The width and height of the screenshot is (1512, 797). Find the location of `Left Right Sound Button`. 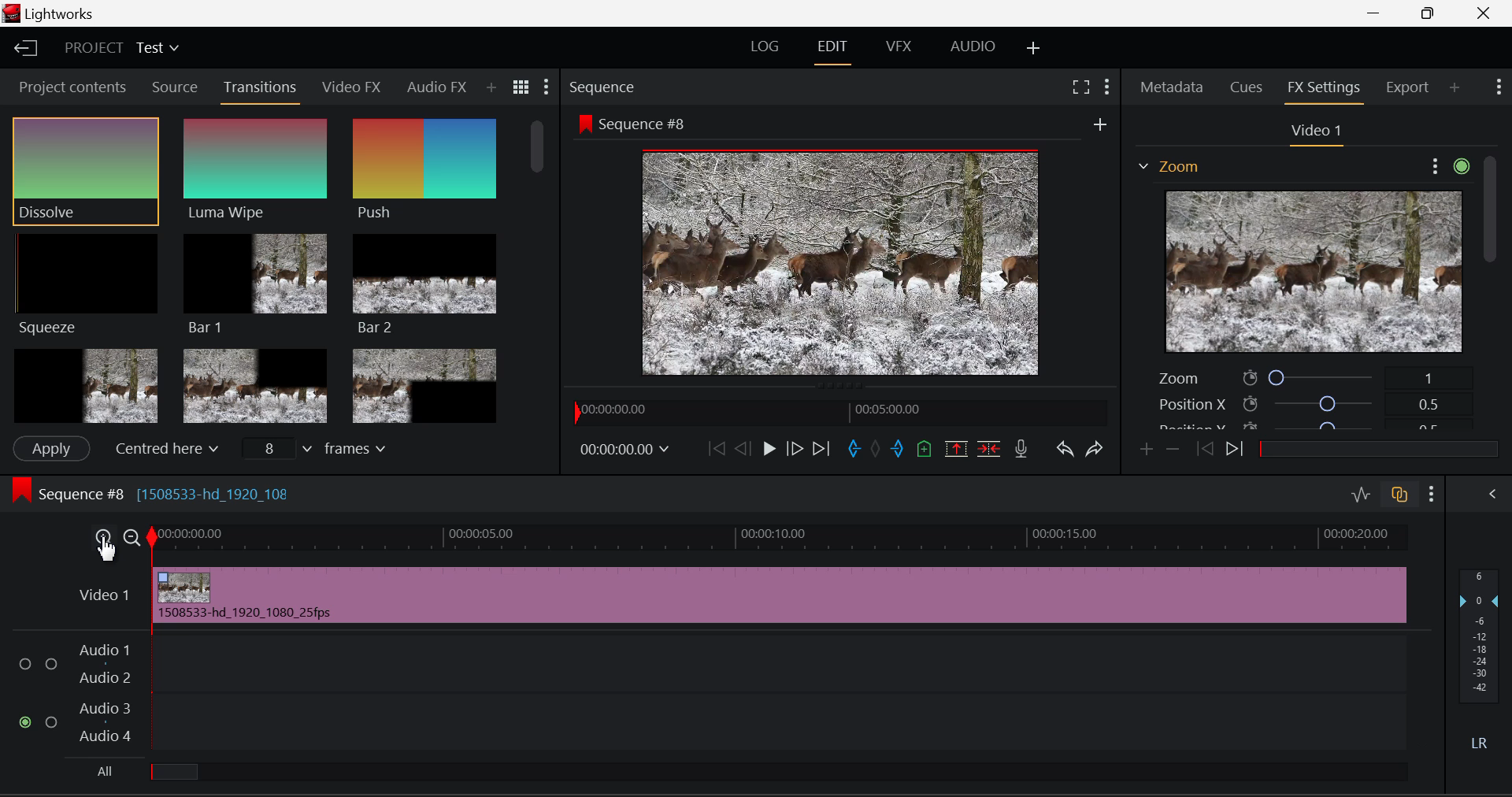

Left Right Sound Button is located at coordinates (1479, 743).